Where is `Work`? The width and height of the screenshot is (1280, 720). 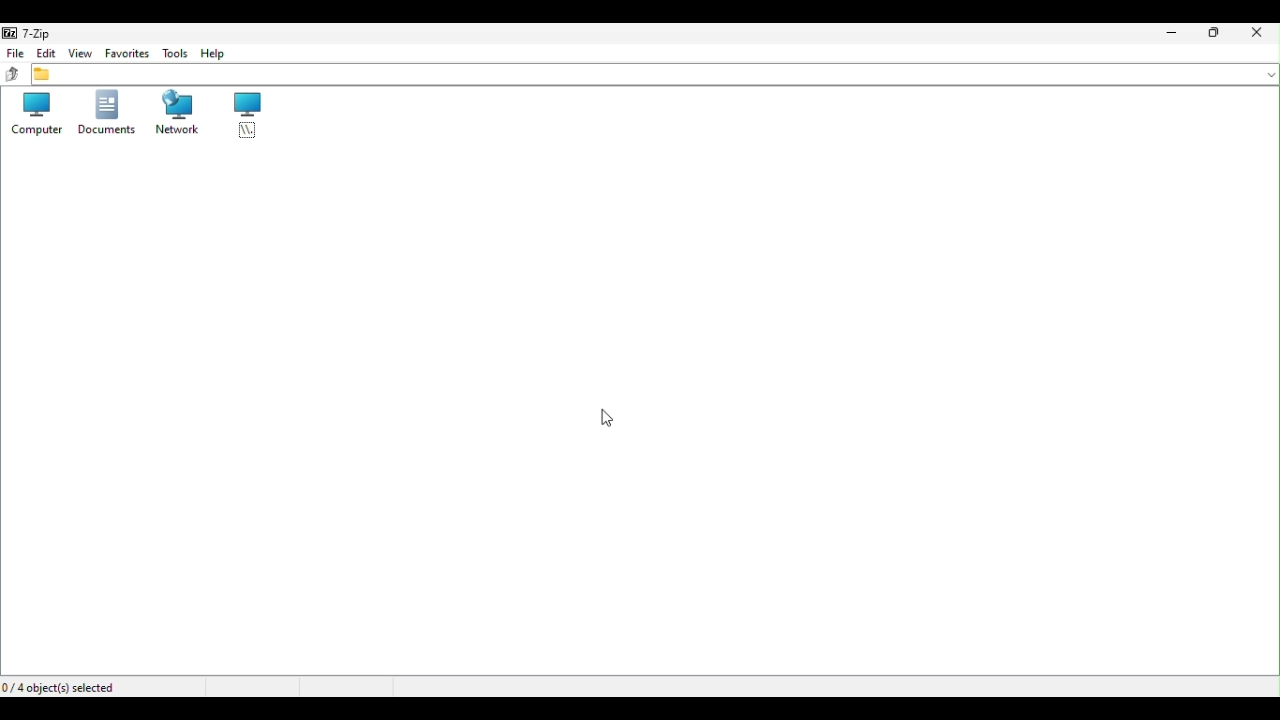
Work is located at coordinates (175, 117).